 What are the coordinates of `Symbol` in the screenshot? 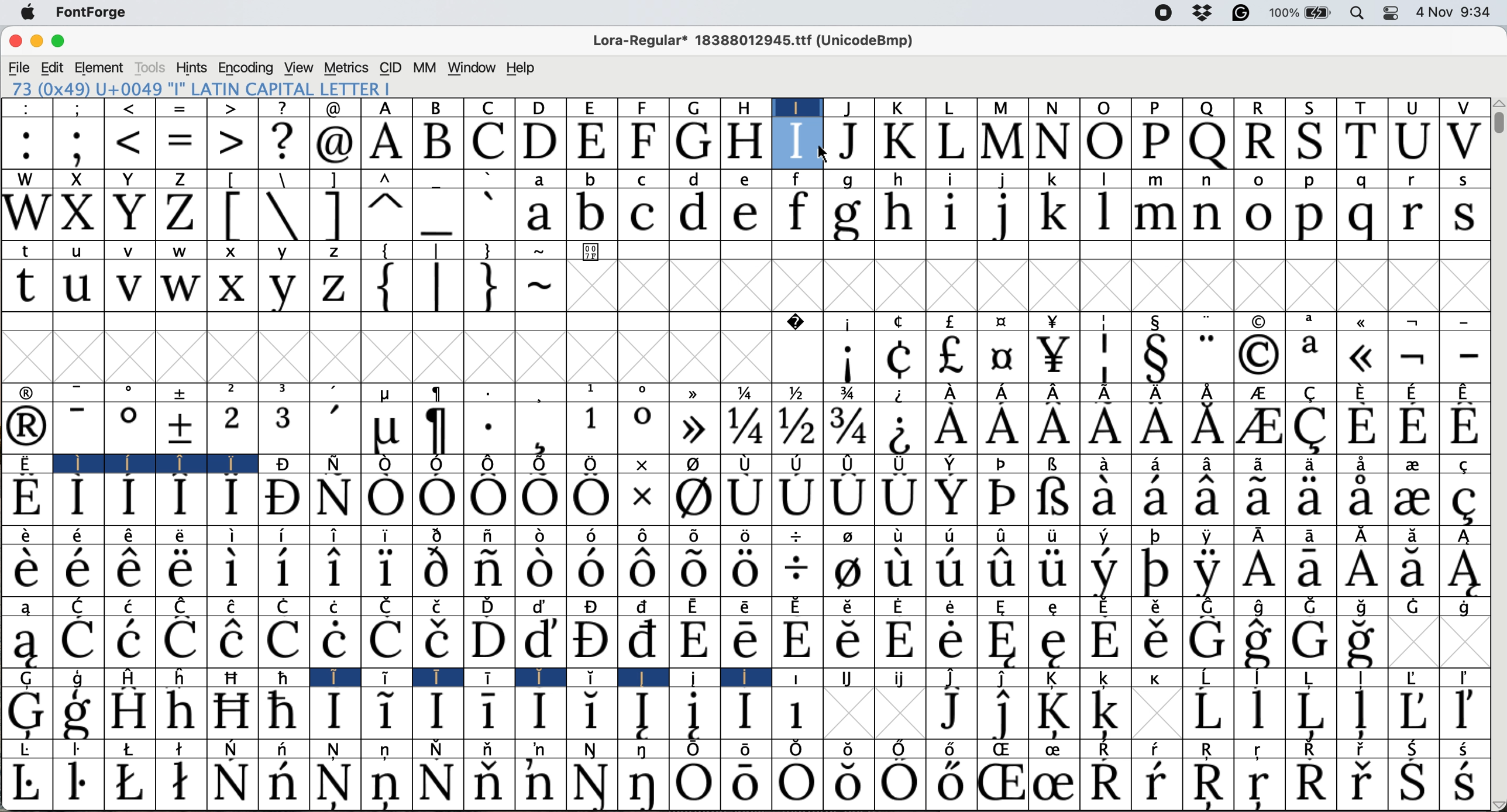 It's located at (1364, 749).